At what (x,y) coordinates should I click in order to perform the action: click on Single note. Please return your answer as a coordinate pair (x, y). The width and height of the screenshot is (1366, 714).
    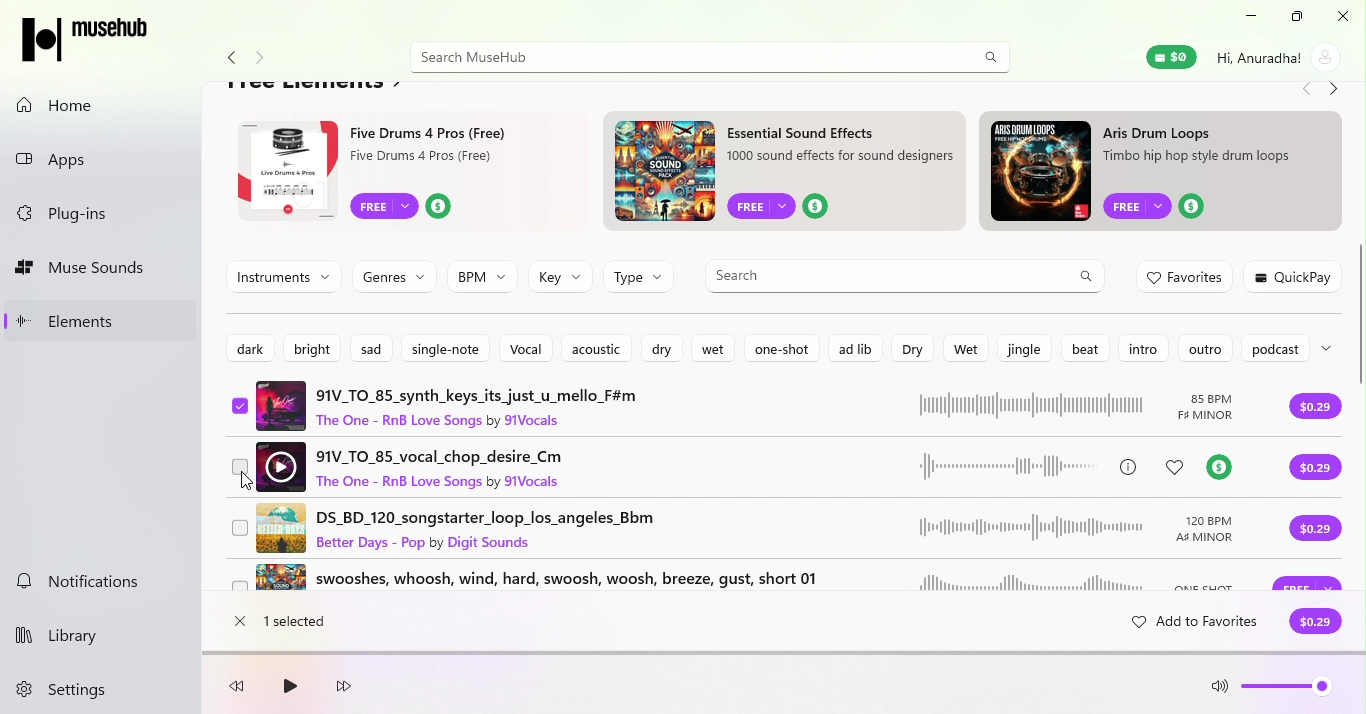
    Looking at the image, I should click on (446, 347).